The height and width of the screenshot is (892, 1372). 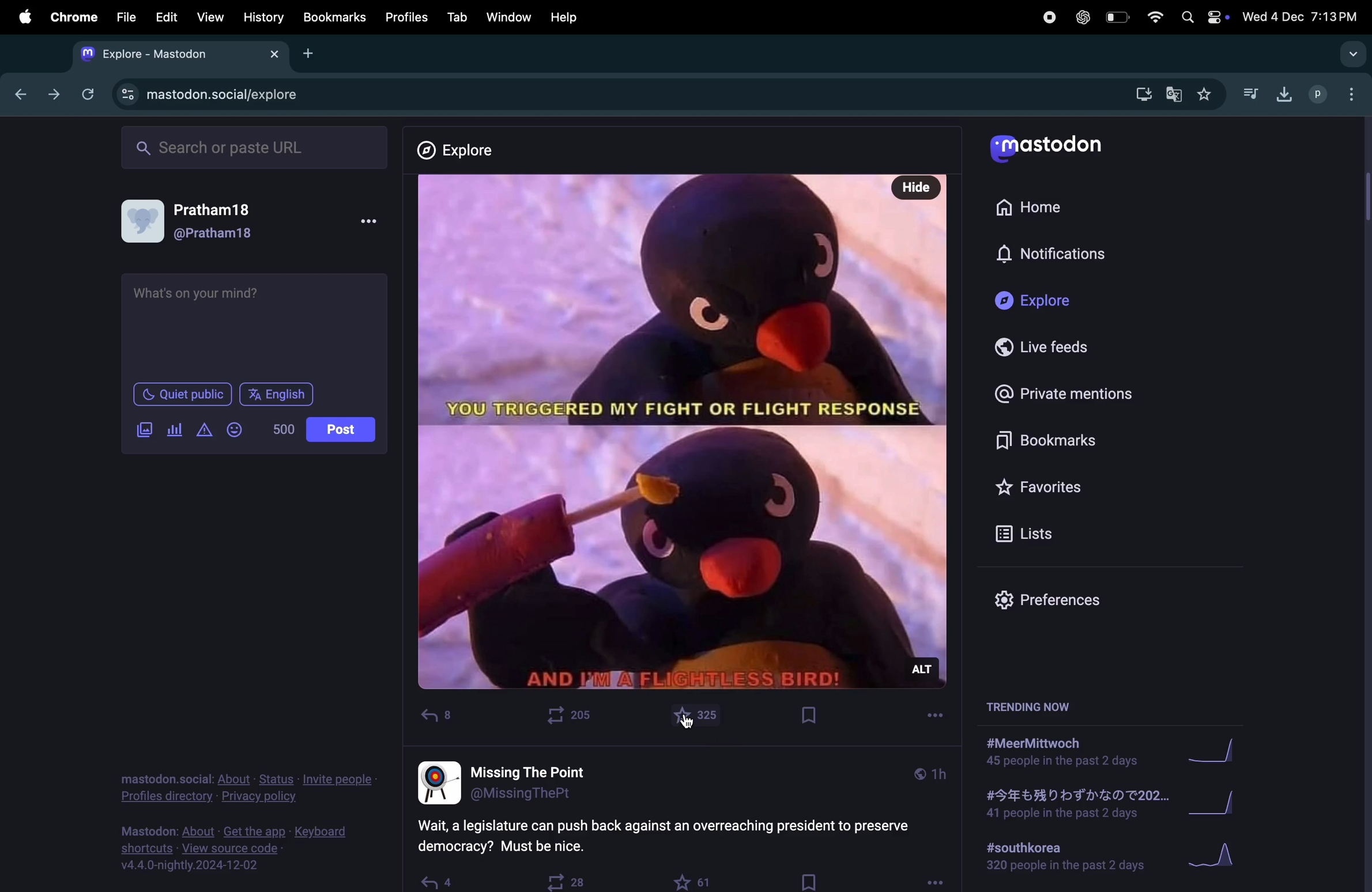 What do you see at coordinates (1032, 707) in the screenshot?
I see `trending` at bounding box center [1032, 707].